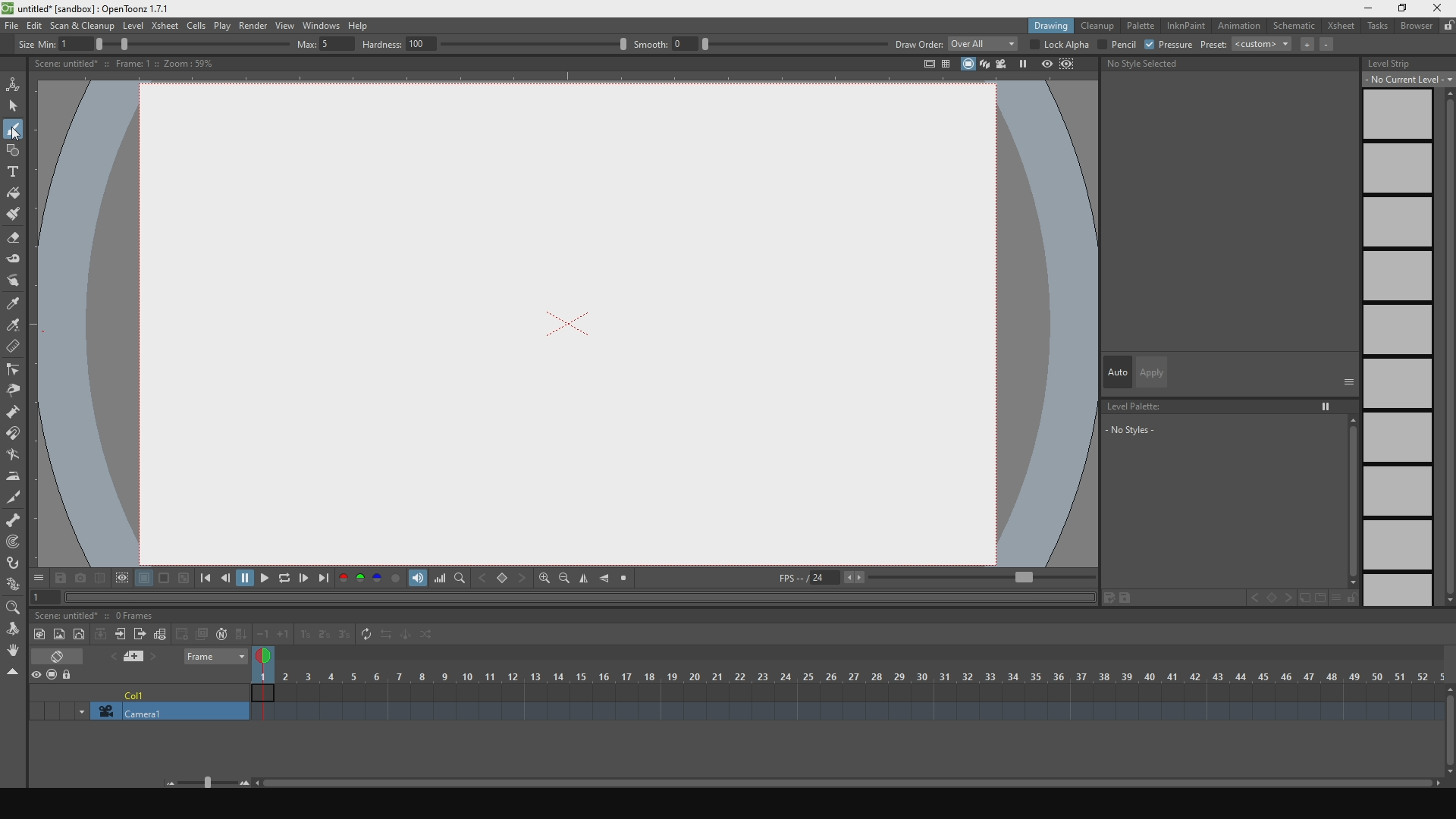 The height and width of the screenshot is (819, 1456). I want to click on edit control, so click(14, 371).